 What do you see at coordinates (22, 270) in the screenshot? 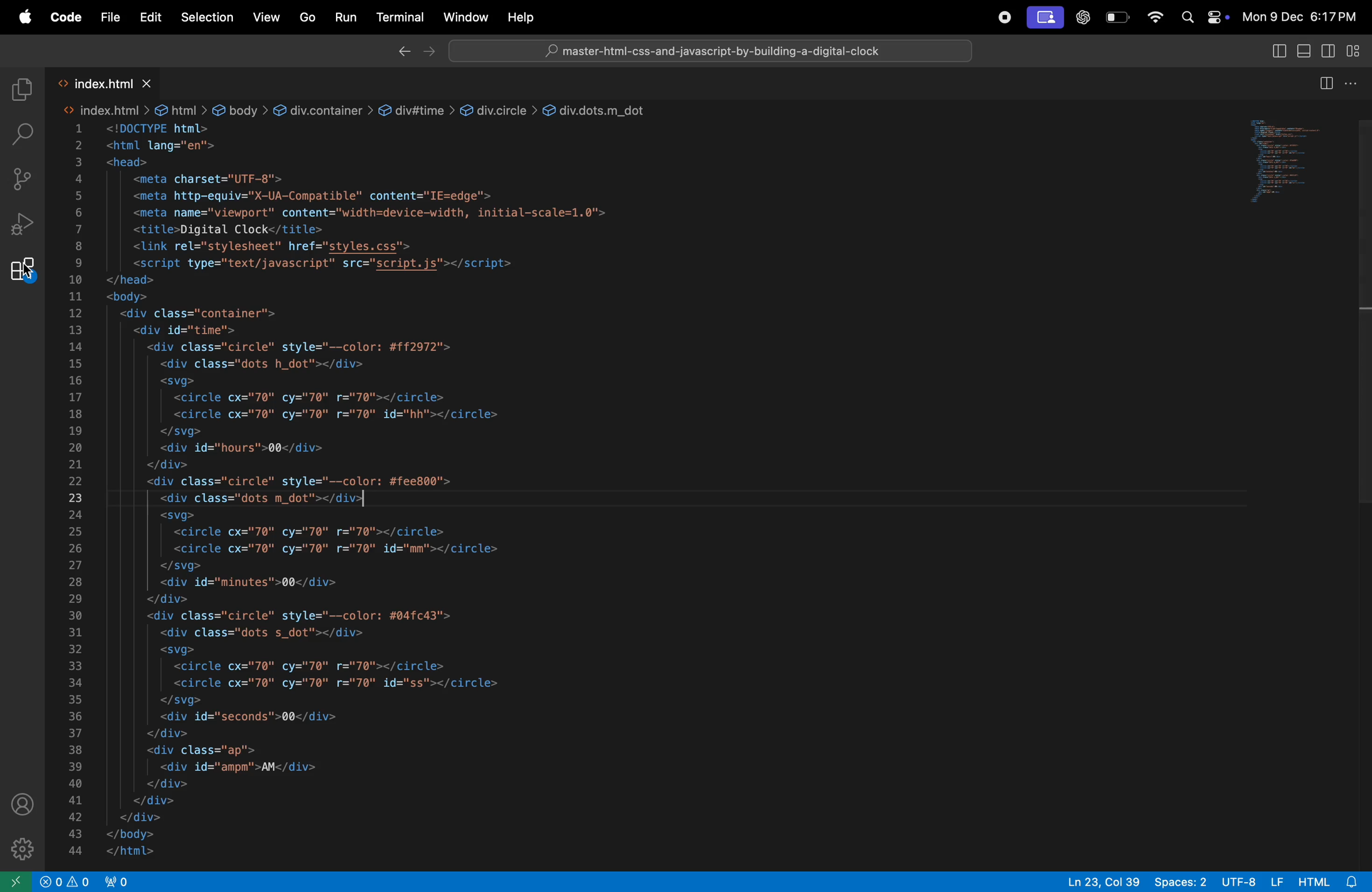
I see `Extensions` at bounding box center [22, 270].